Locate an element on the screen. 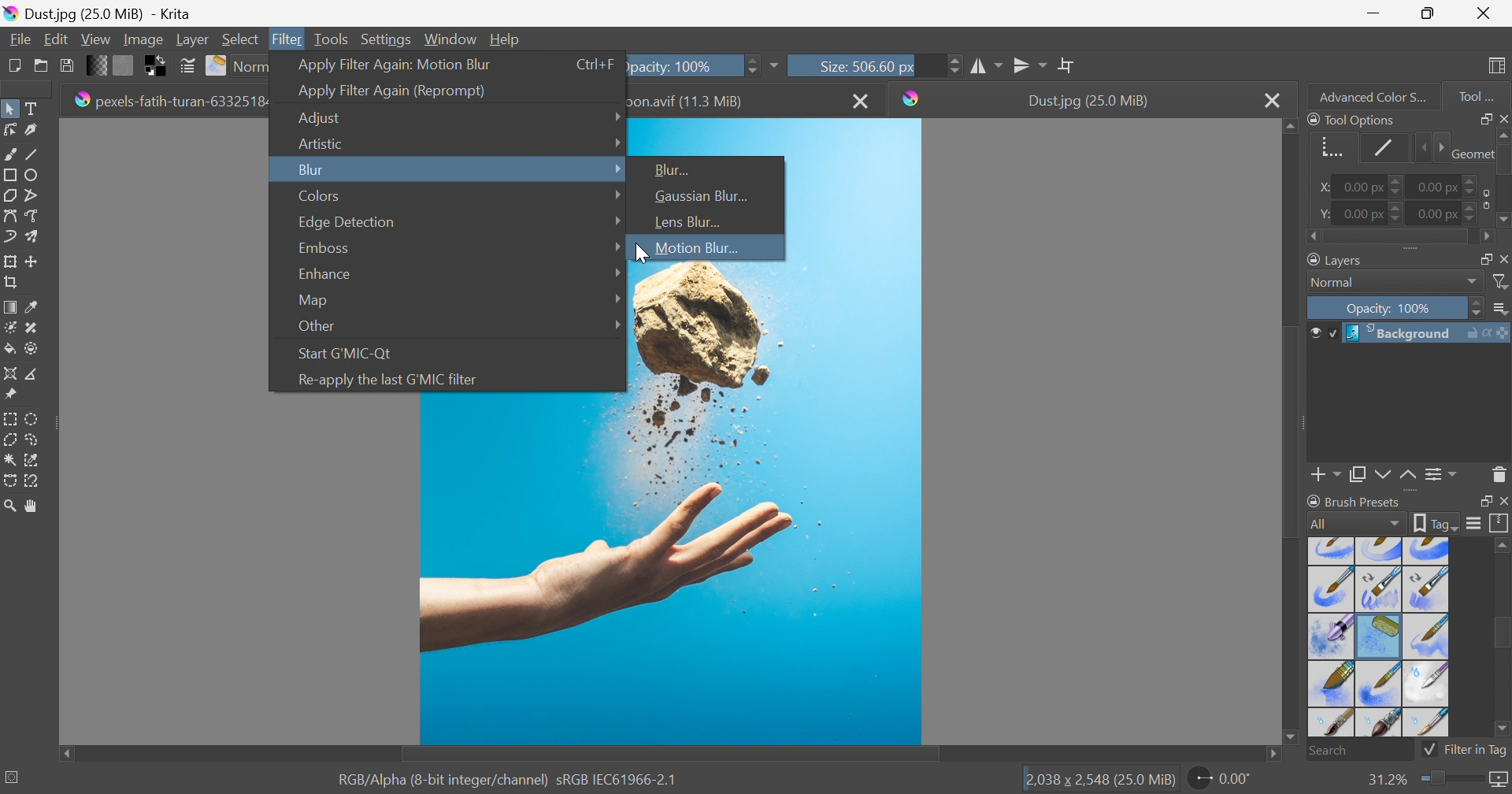  Drop Down is located at coordinates (617, 273).